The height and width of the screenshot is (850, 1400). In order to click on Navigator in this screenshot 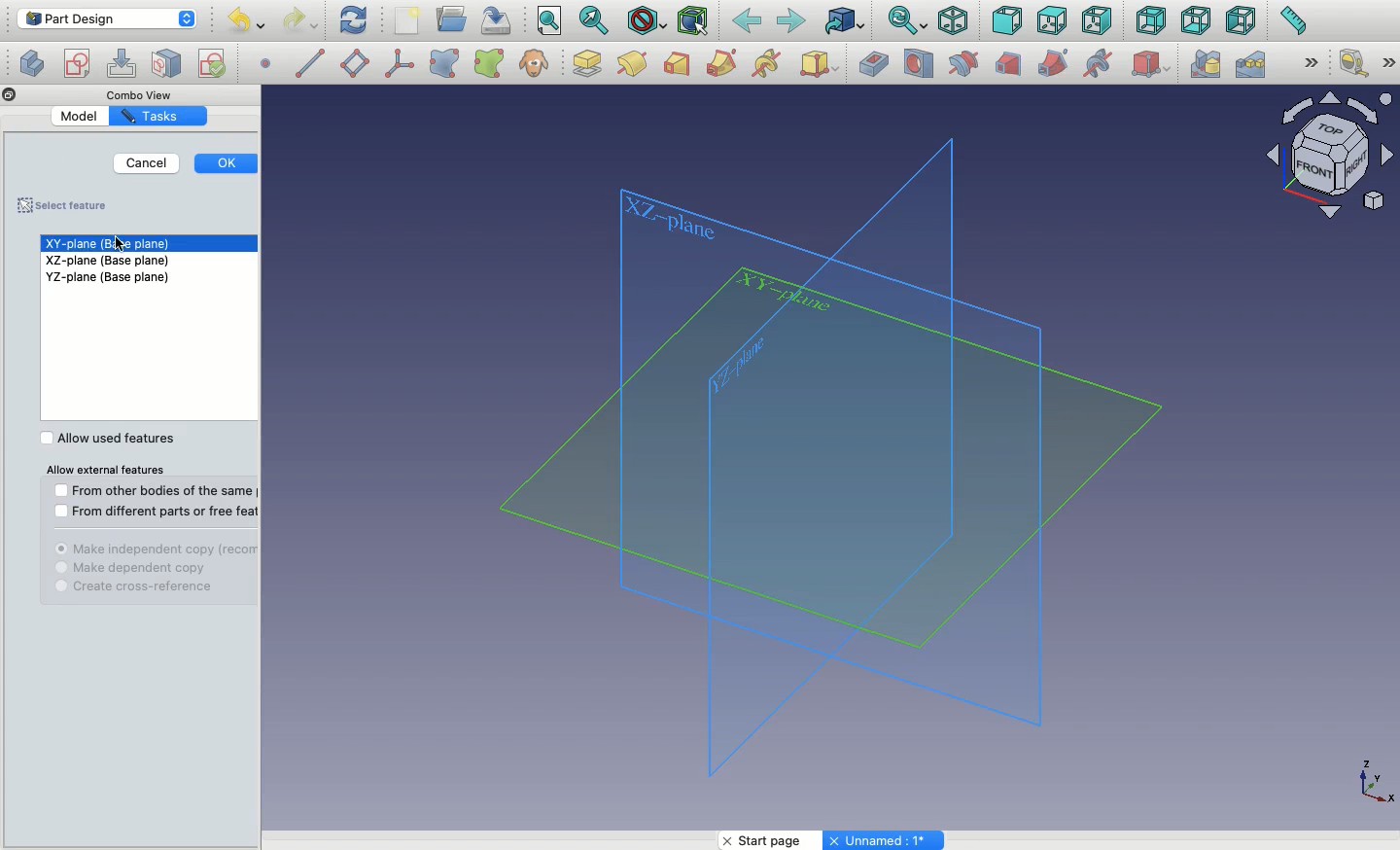, I will do `click(1330, 155)`.